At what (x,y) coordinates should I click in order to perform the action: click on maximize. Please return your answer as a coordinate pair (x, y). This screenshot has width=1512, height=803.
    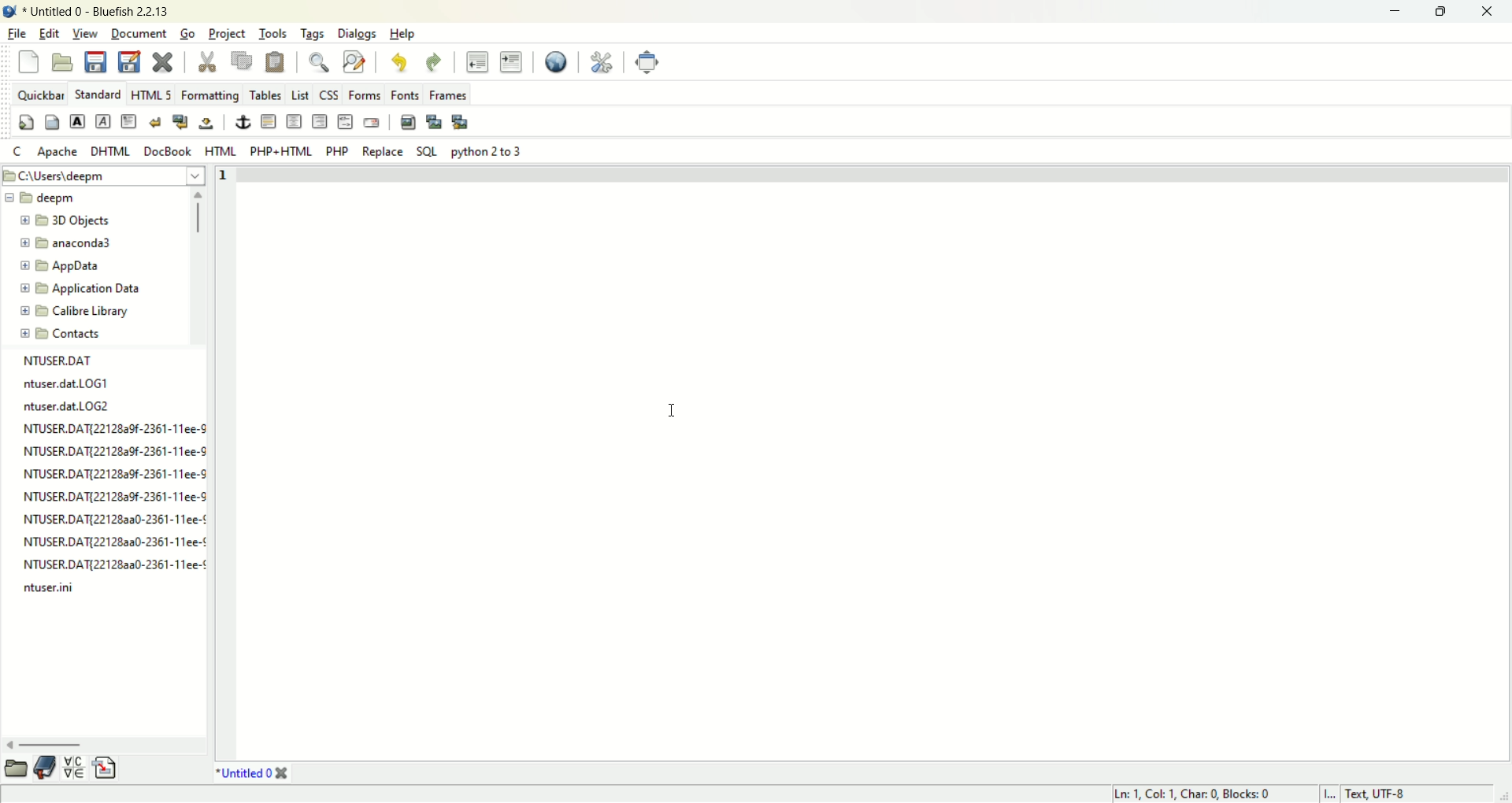
    Looking at the image, I should click on (1443, 12).